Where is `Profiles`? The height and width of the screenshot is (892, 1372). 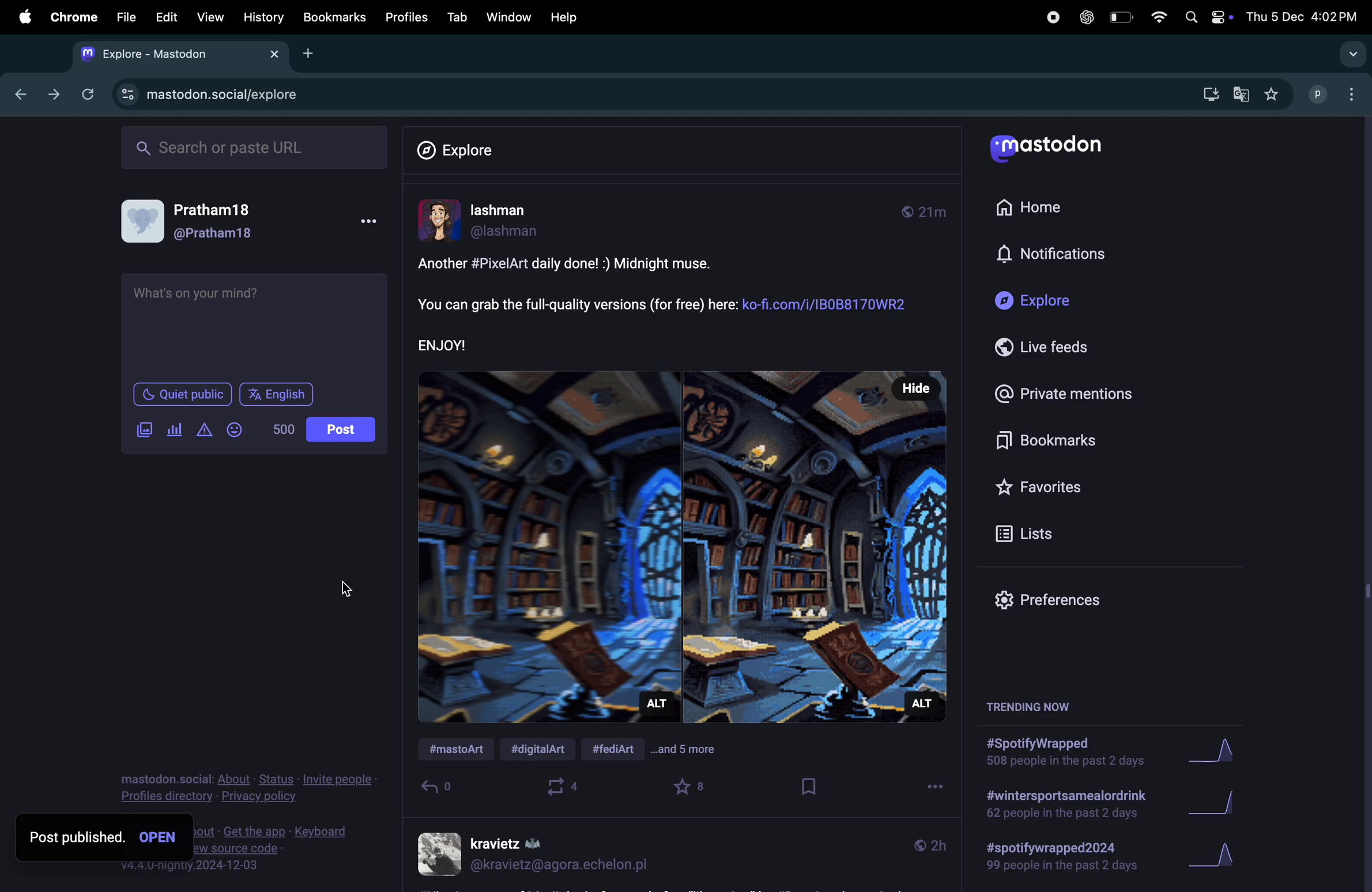 Profiles is located at coordinates (408, 17).